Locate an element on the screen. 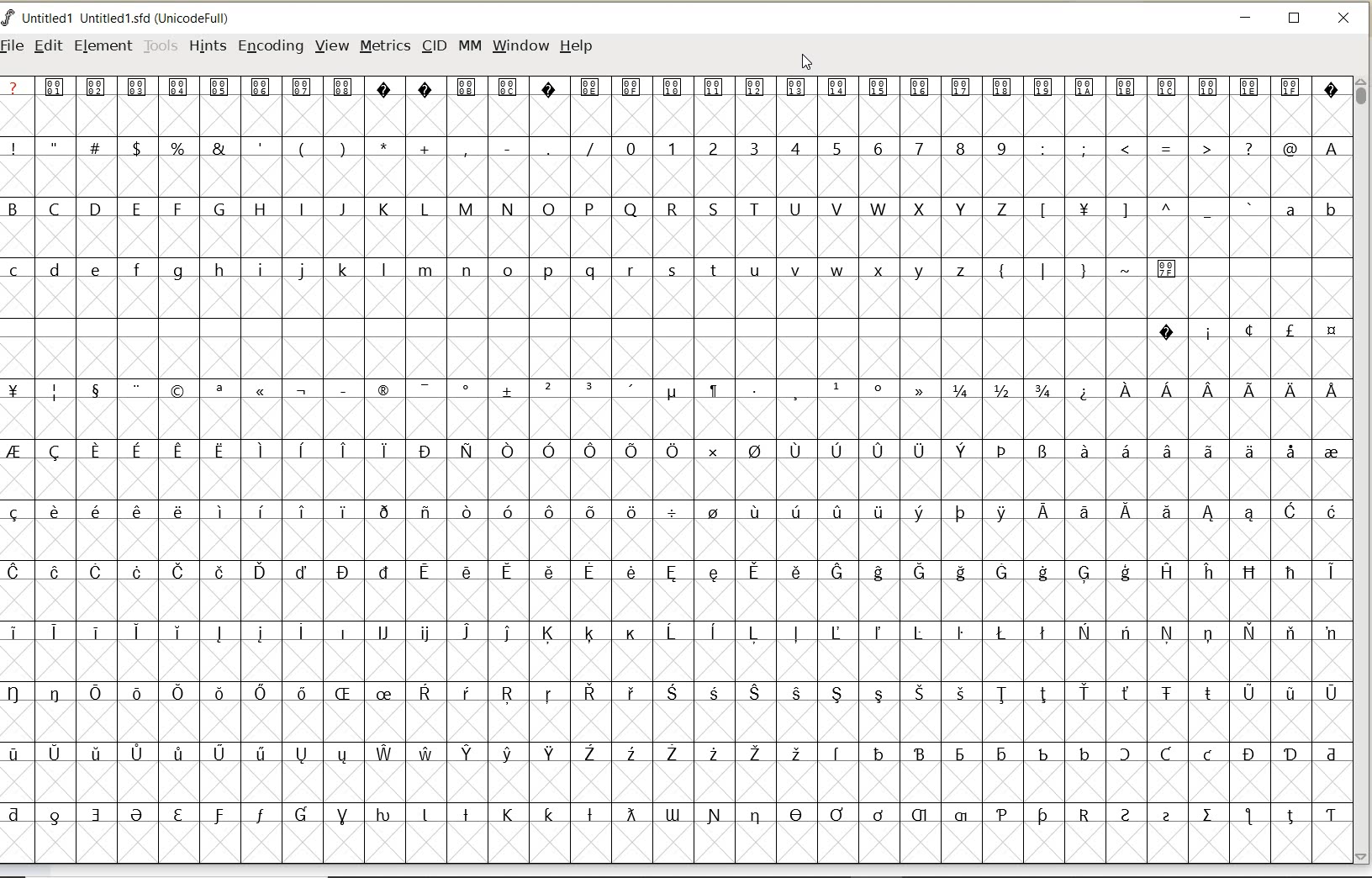 This screenshot has width=1372, height=878. lowercase letters is located at coordinates (1310, 213).